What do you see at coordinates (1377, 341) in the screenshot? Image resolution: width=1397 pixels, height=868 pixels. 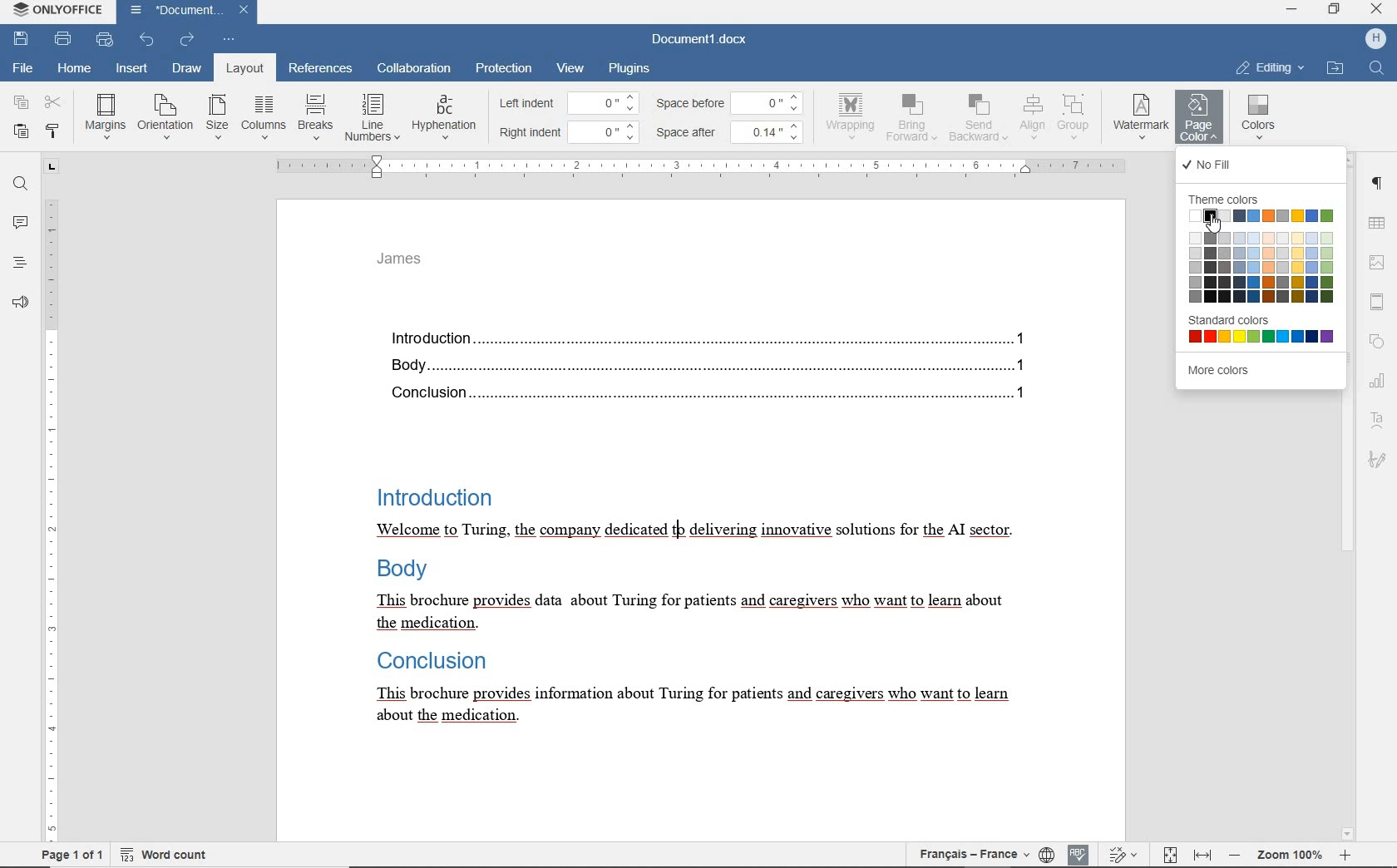 I see `shape` at bounding box center [1377, 341].